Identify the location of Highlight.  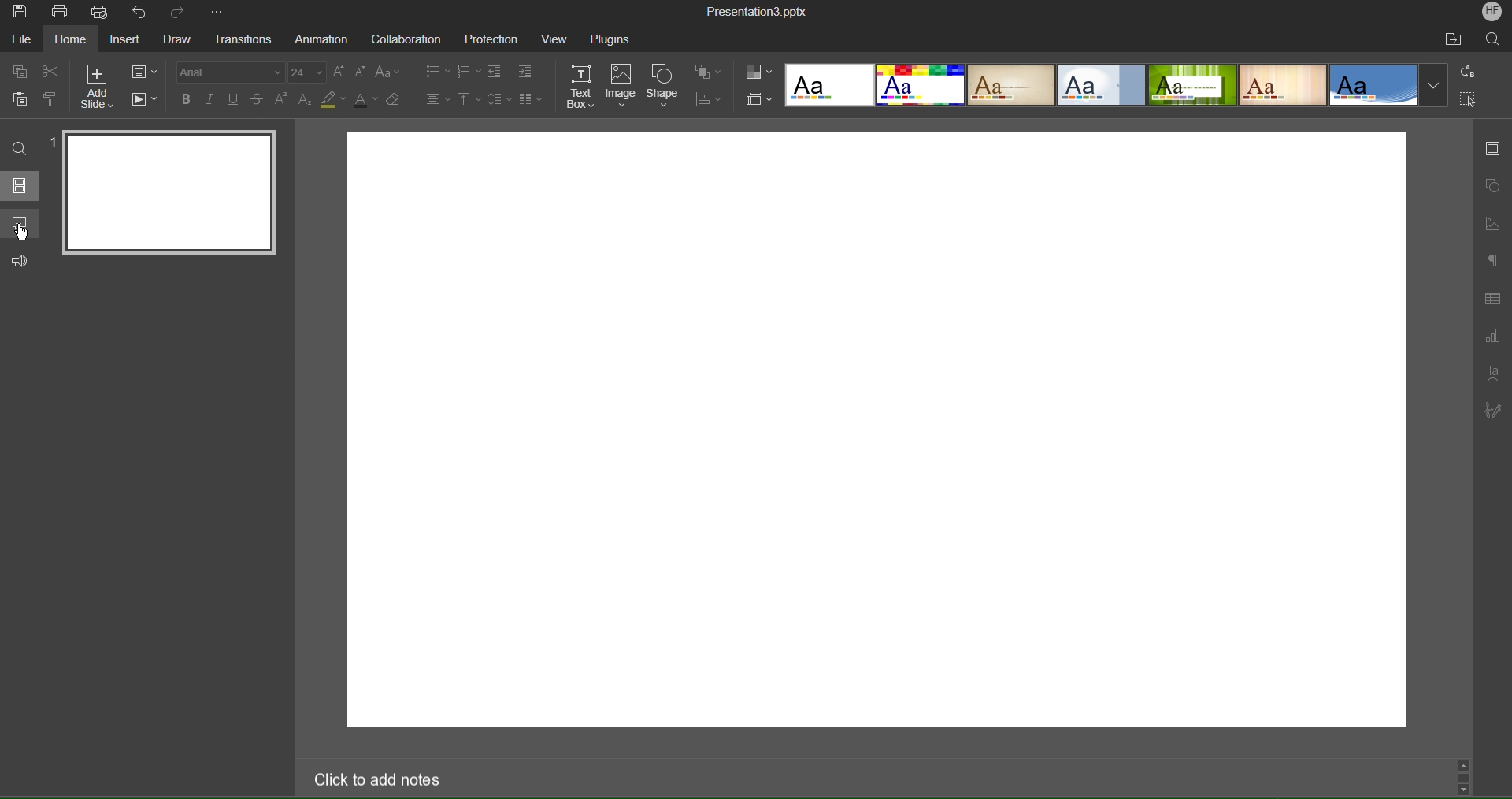
(331, 101).